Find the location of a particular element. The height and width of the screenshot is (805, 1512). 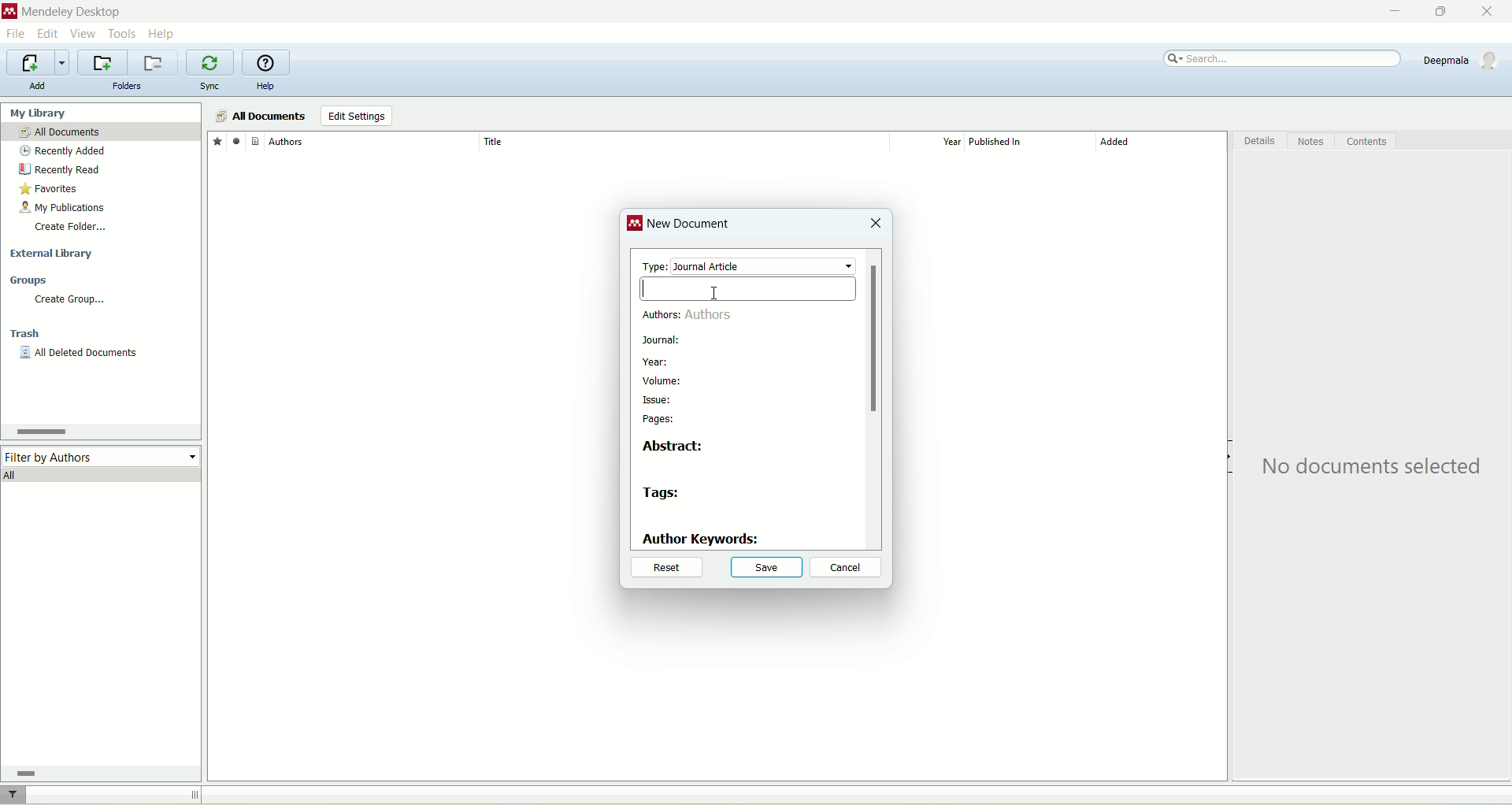

author keywords is located at coordinates (702, 540).